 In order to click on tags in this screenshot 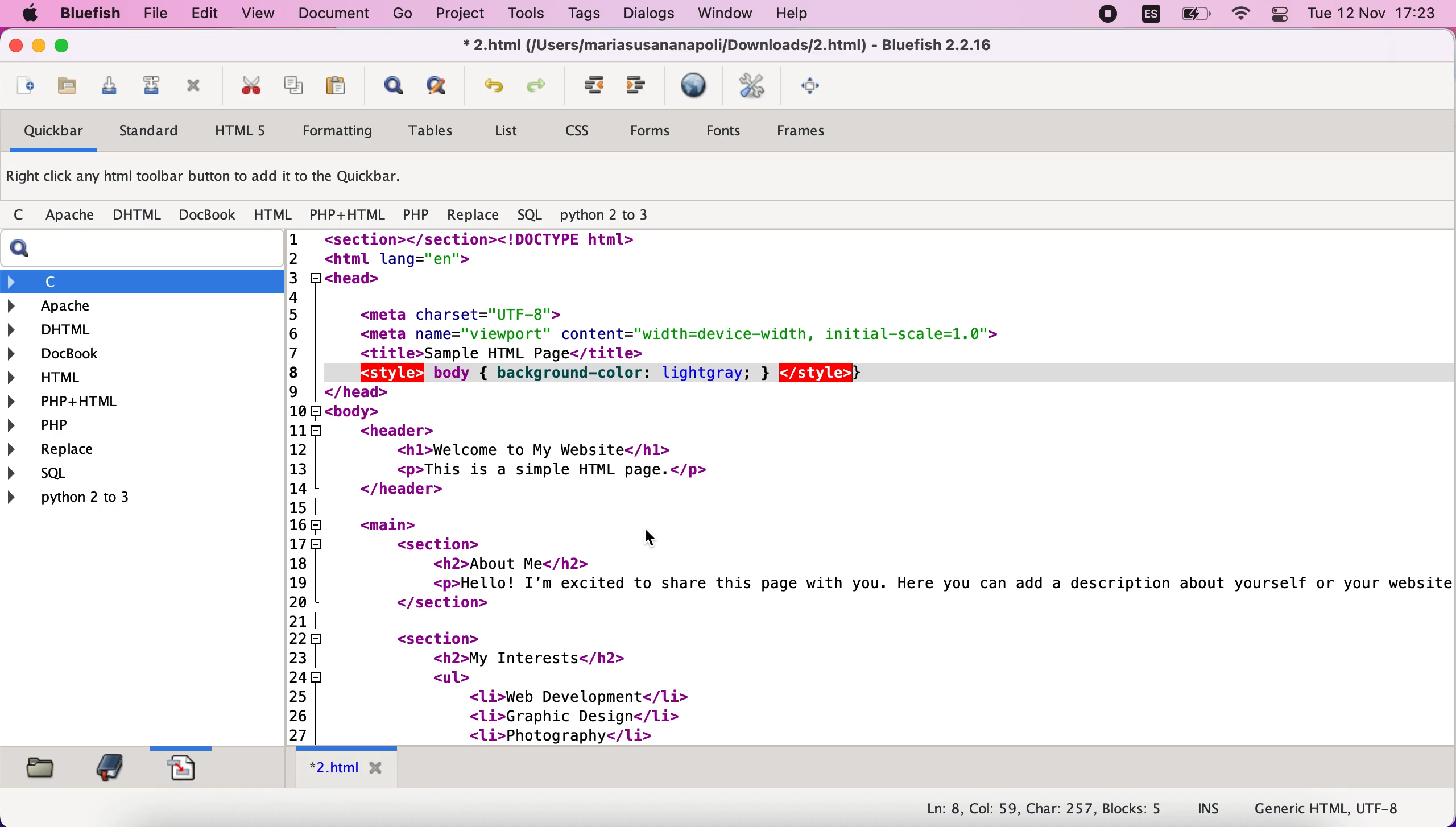, I will do `click(584, 15)`.